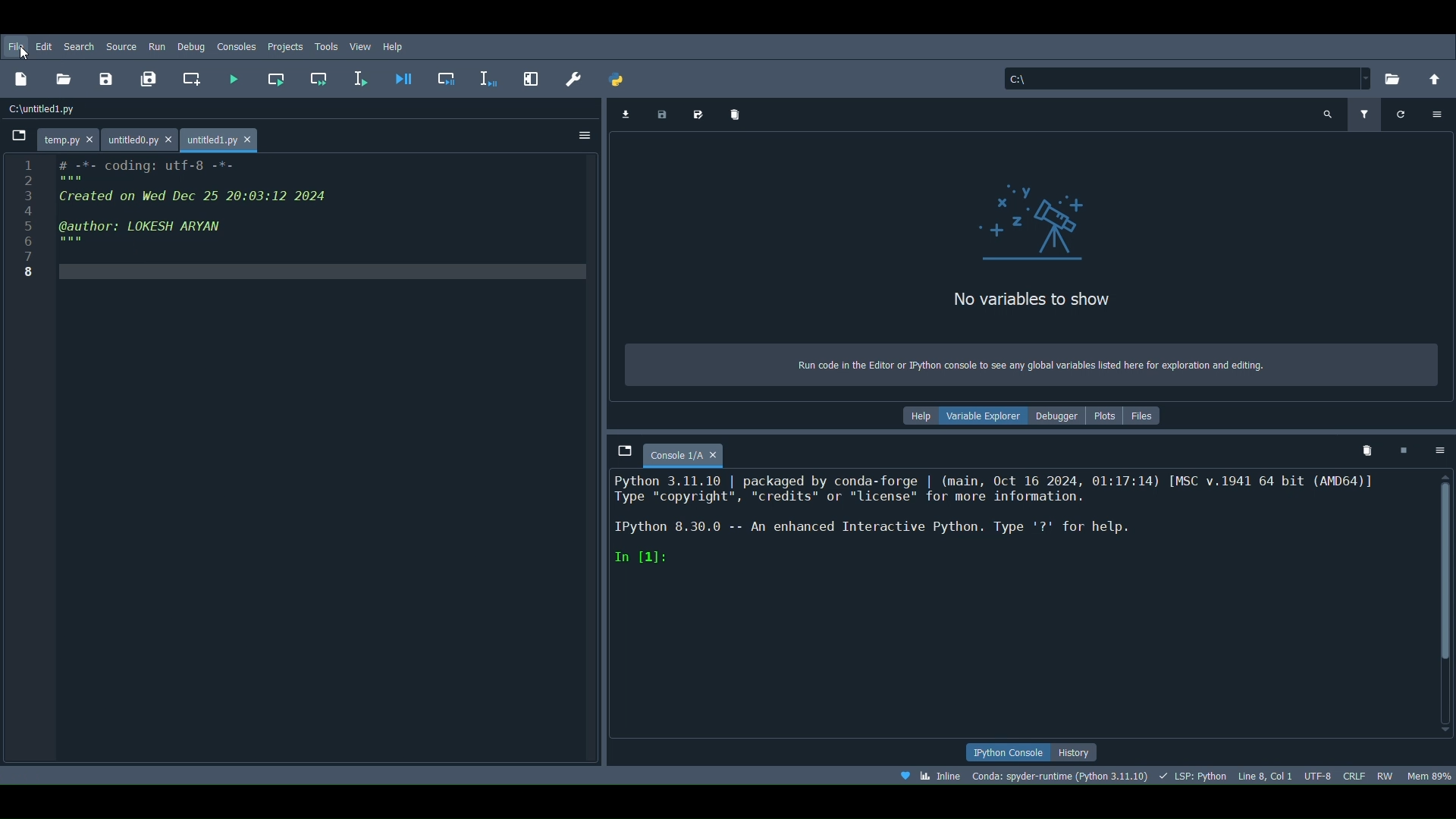 This screenshot has width=1456, height=819. Describe the element at coordinates (1436, 76) in the screenshot. I see `Change to parent directory` at that location.